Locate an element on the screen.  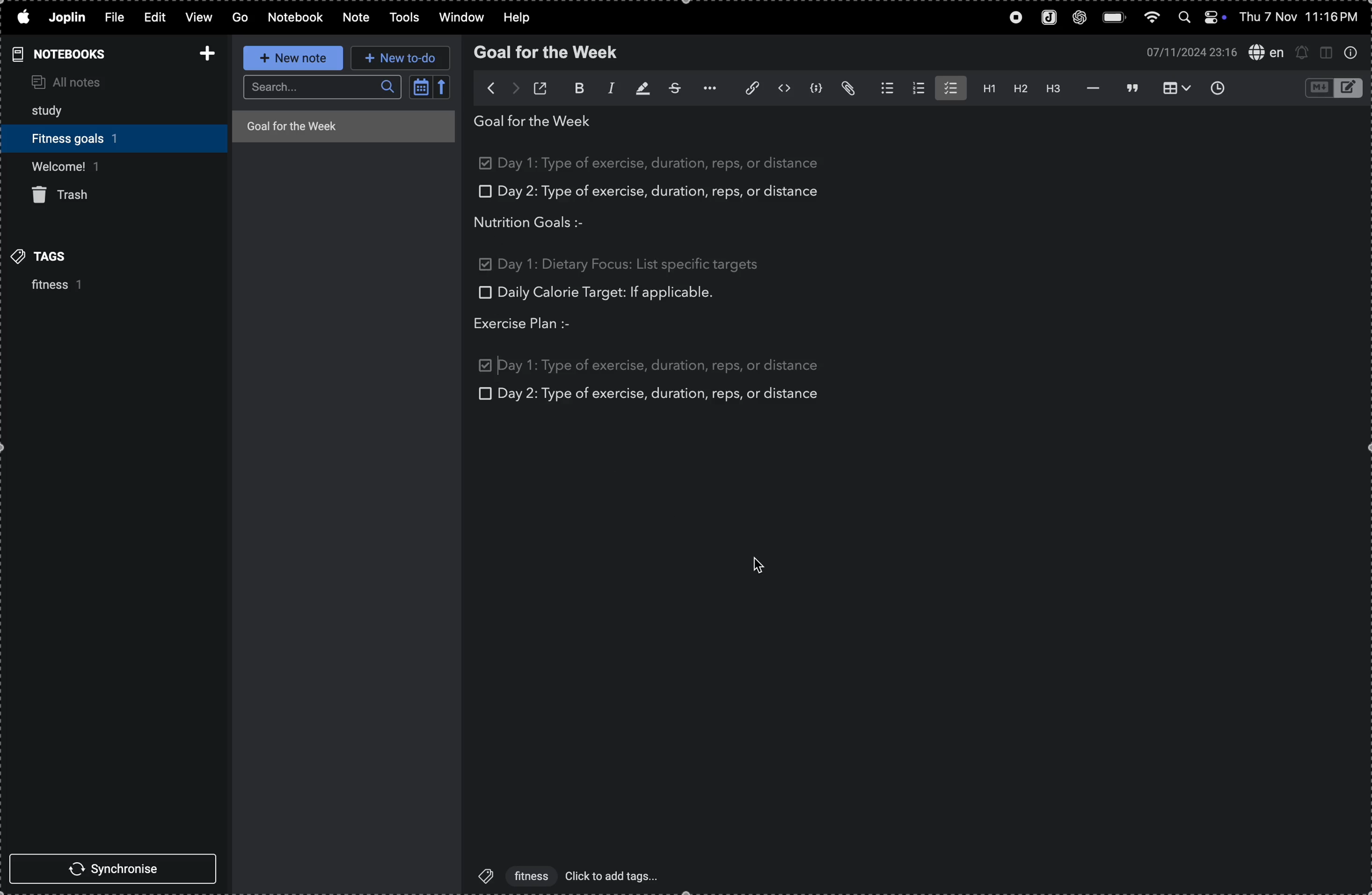
options is located at coordinates (706, 88).